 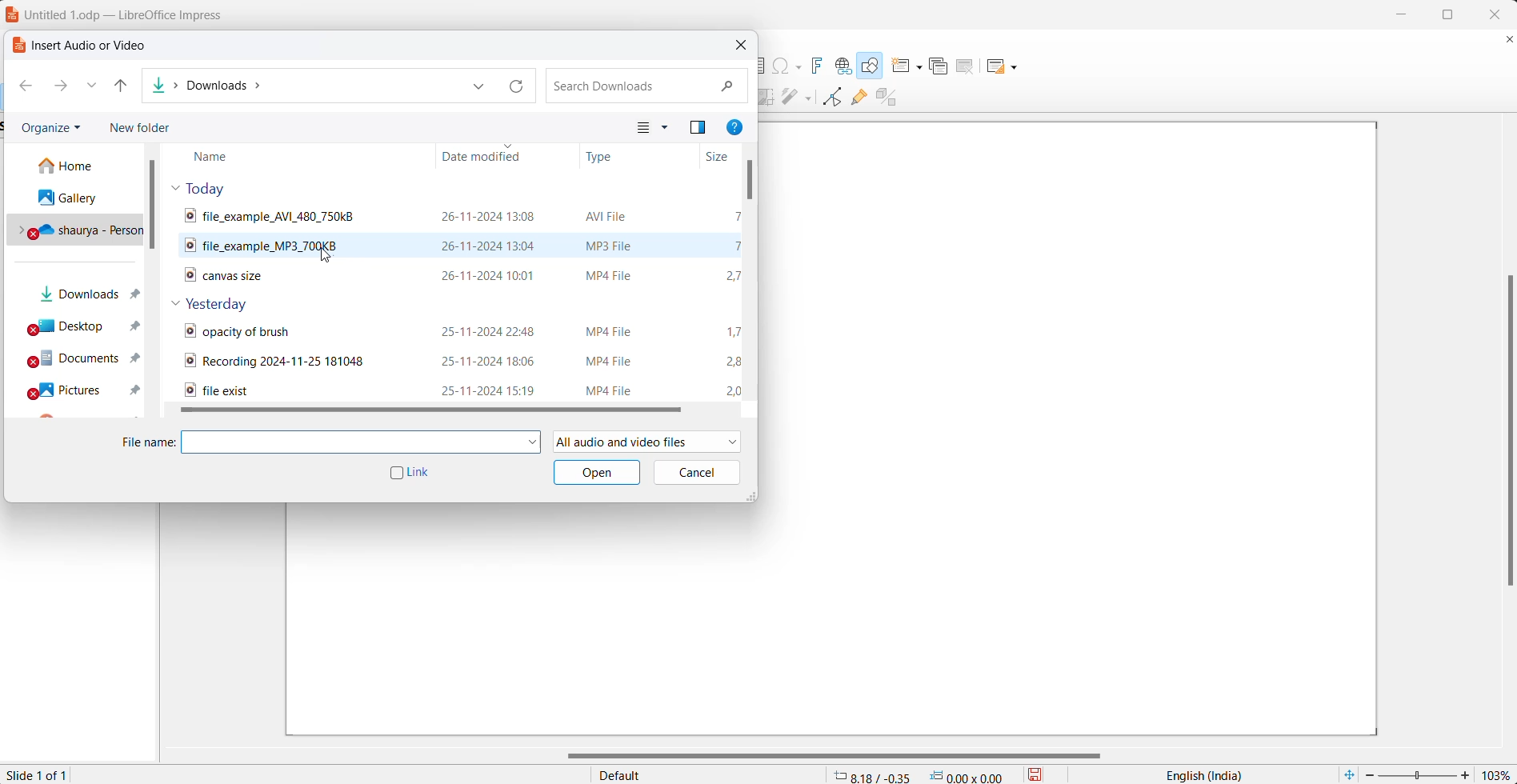 I want to click on vertical scroll bar, so click(x=160, y=203).